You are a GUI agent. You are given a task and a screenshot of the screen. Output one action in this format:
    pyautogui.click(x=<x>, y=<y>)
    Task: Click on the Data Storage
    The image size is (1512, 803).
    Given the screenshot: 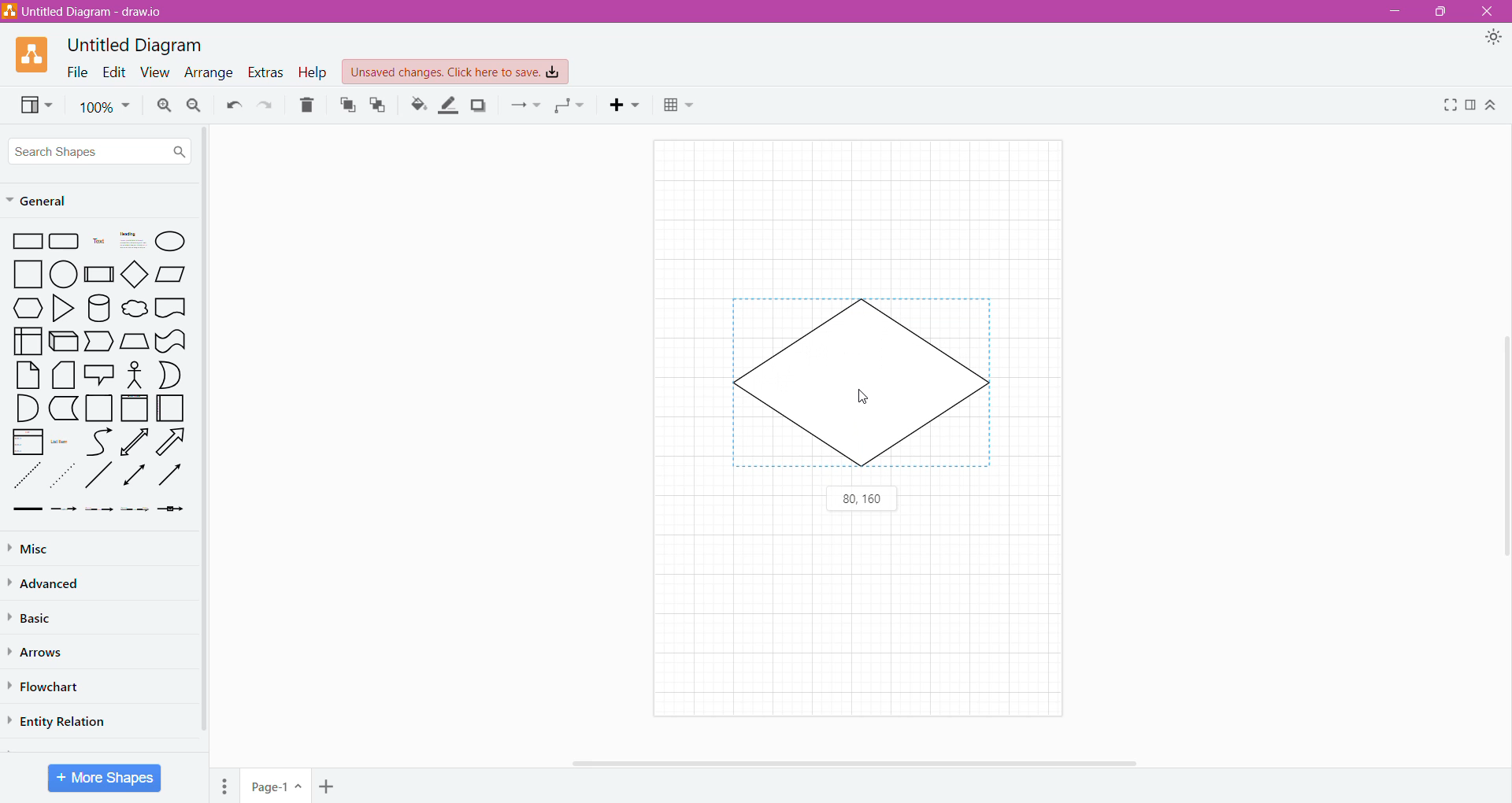 What is the action you would take?
    pyautogui.click(x=65, y=408)
    